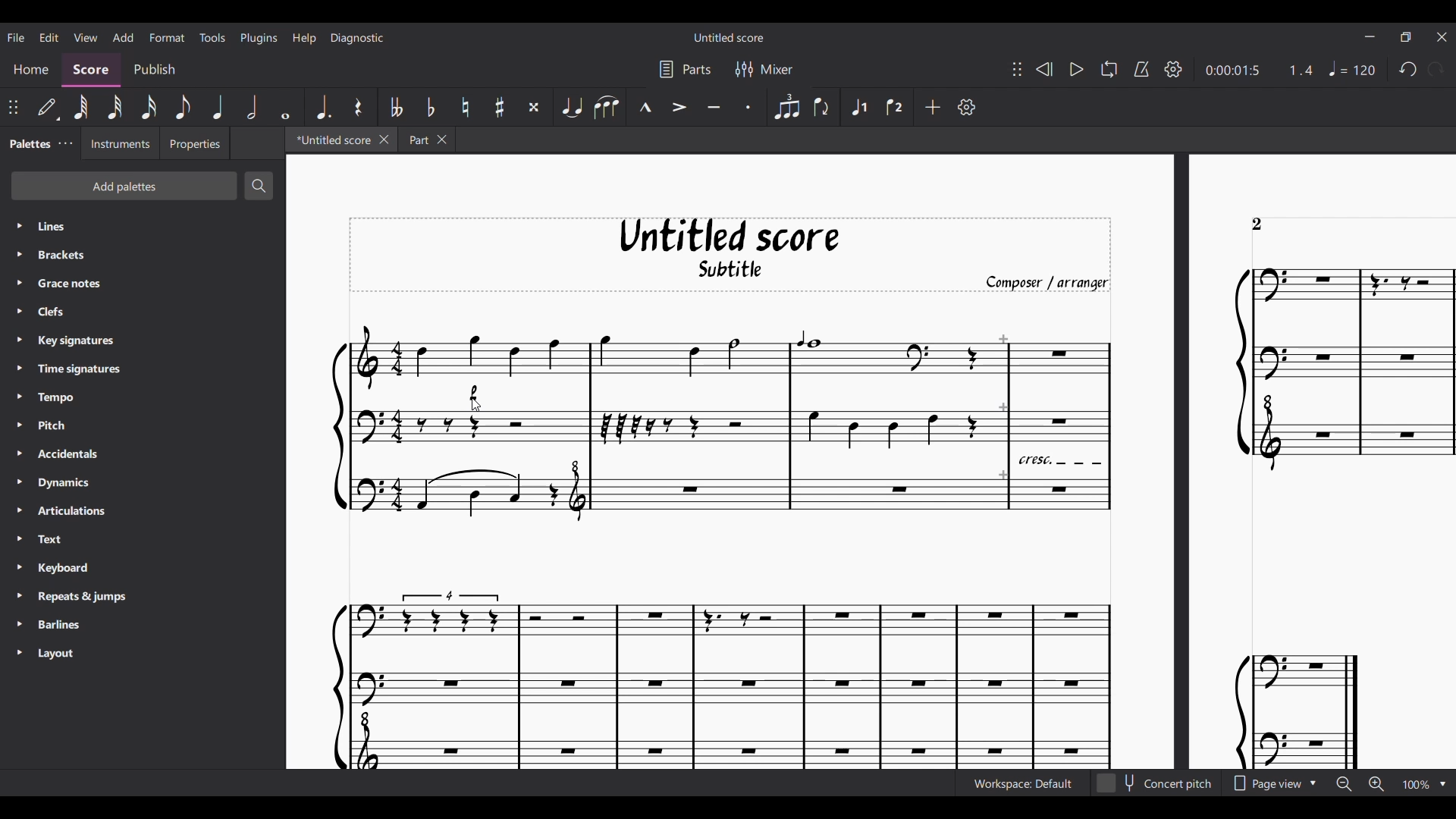 This screenshot has width=1456, height=819. What do you see at coordinates (679, 106) in the screenshot?
I see `Accent` at bounding box center [679, 106].